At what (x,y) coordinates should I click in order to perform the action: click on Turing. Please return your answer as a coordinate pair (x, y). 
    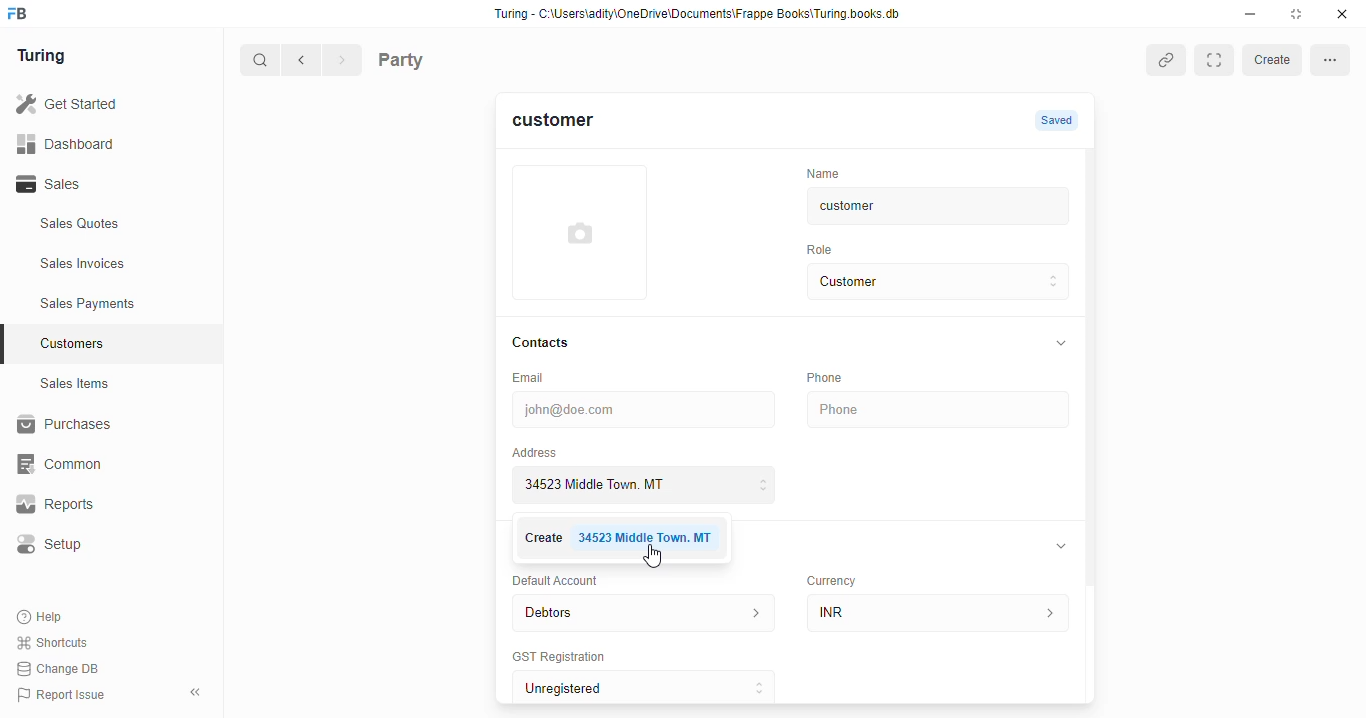
    Looking at the image, I should click on (46, 57).